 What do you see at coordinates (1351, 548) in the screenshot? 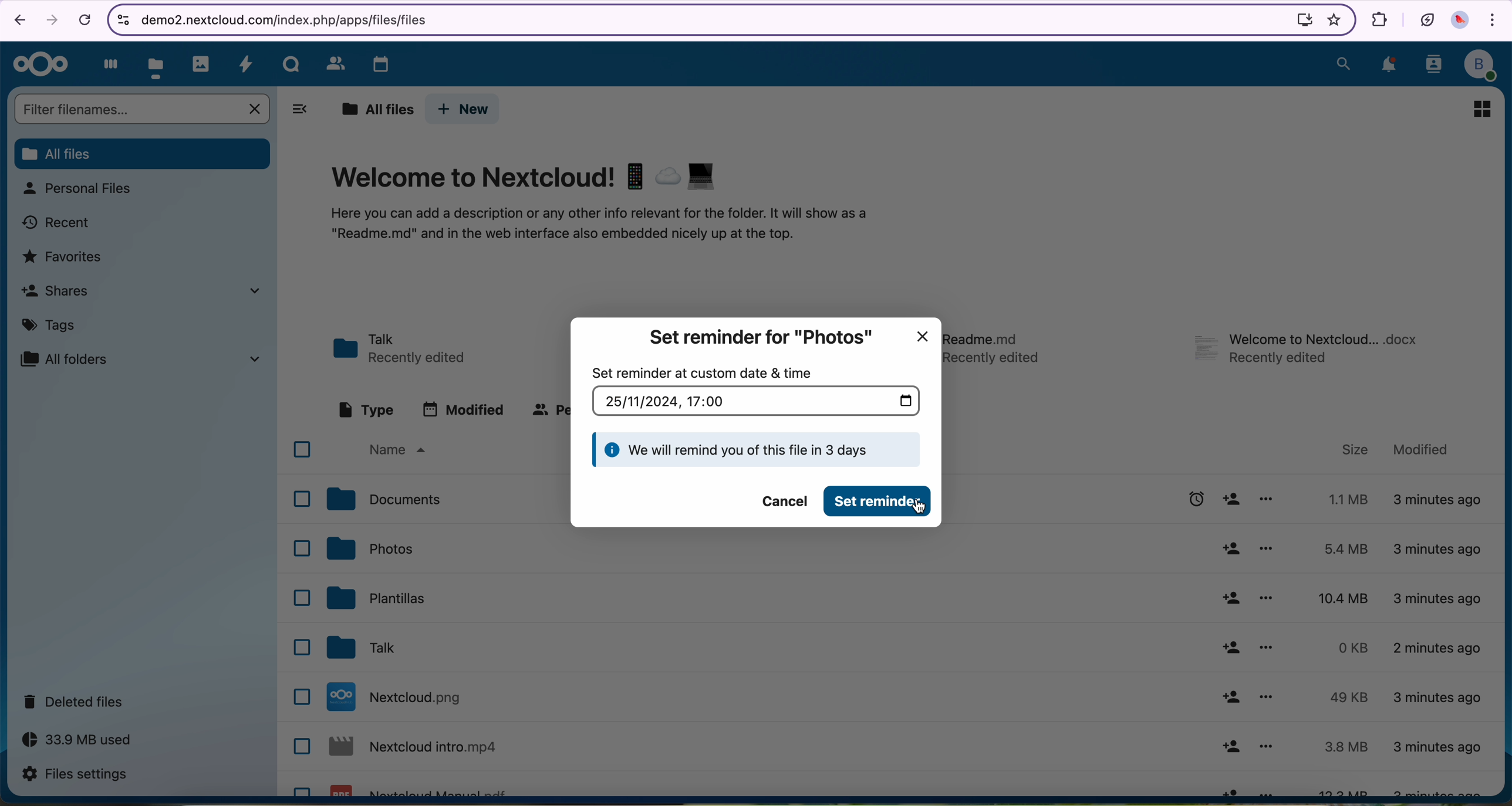
I see `5.4` at bounding box center [1351, 548].